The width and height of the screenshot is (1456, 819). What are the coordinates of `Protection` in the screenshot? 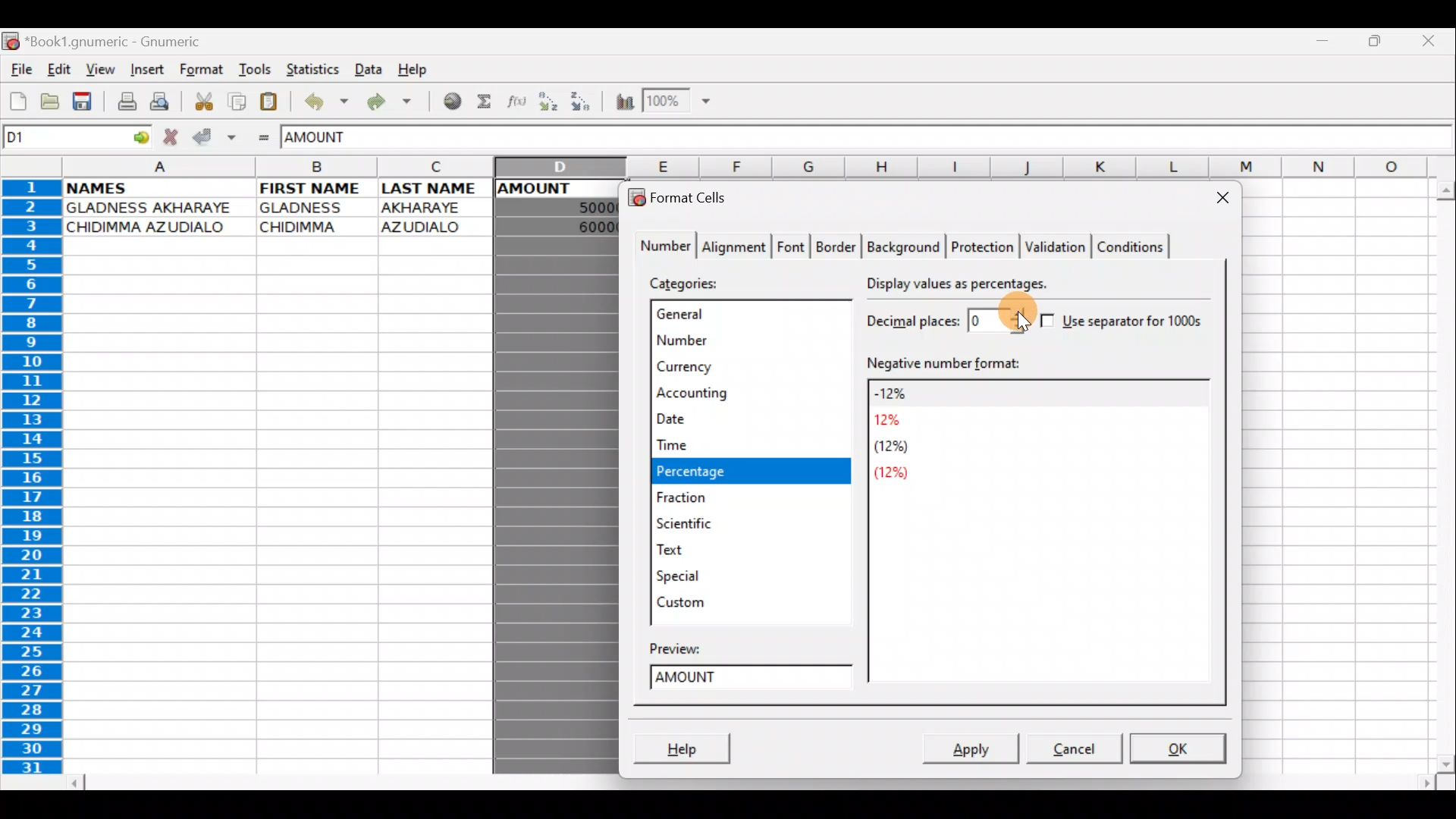 It's located at (981, 246).